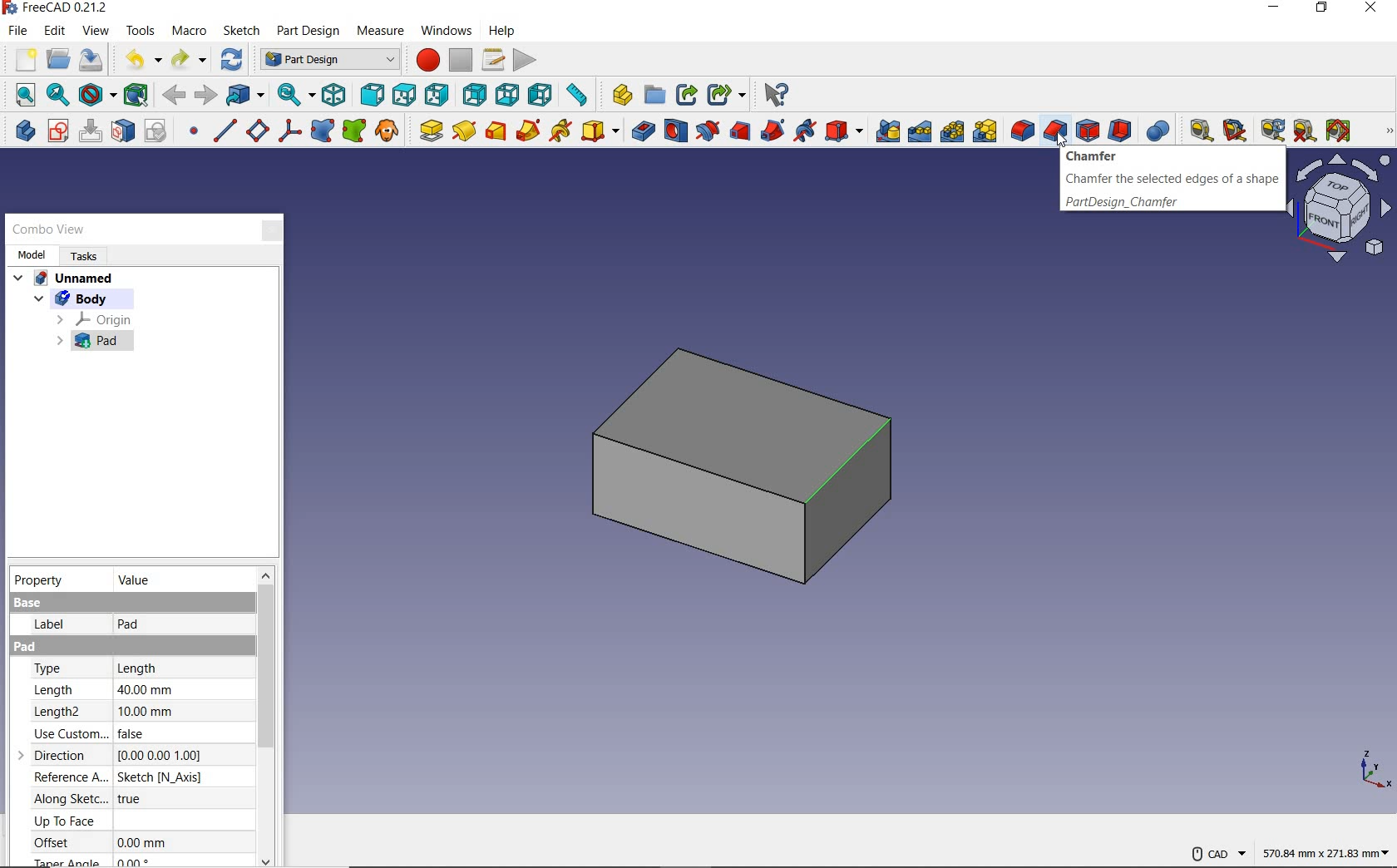 The image size is (1397, 868). What do you see at coordinates (496, 131) in the screenshot?
I see `additive loft` at bounding box center [496, 131].